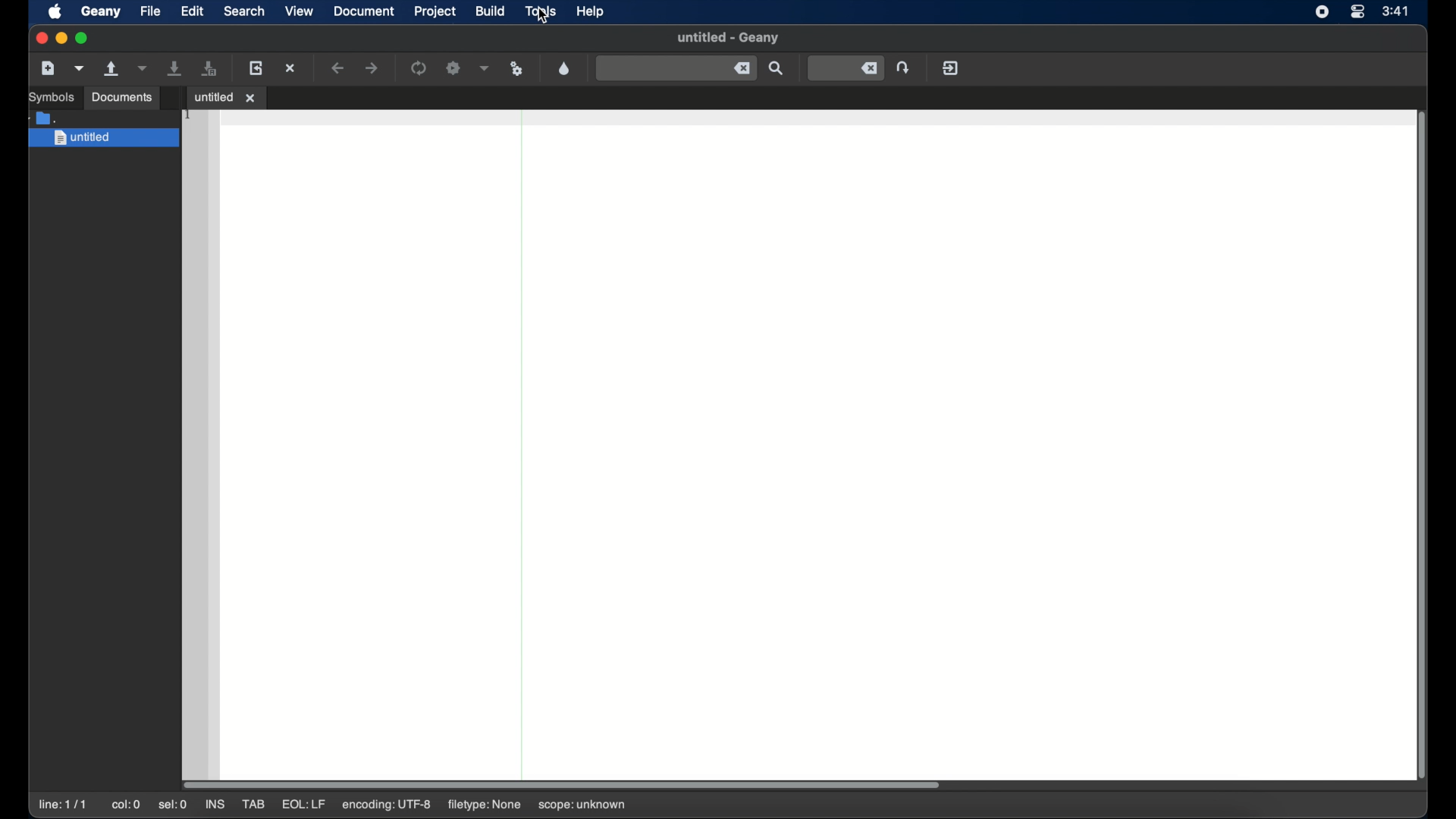 The image size is (1456, 819). What do you see at coordinates (903, 67) in the screenshot?
I see `jump to entered line number` at bounding box center [903, 67].